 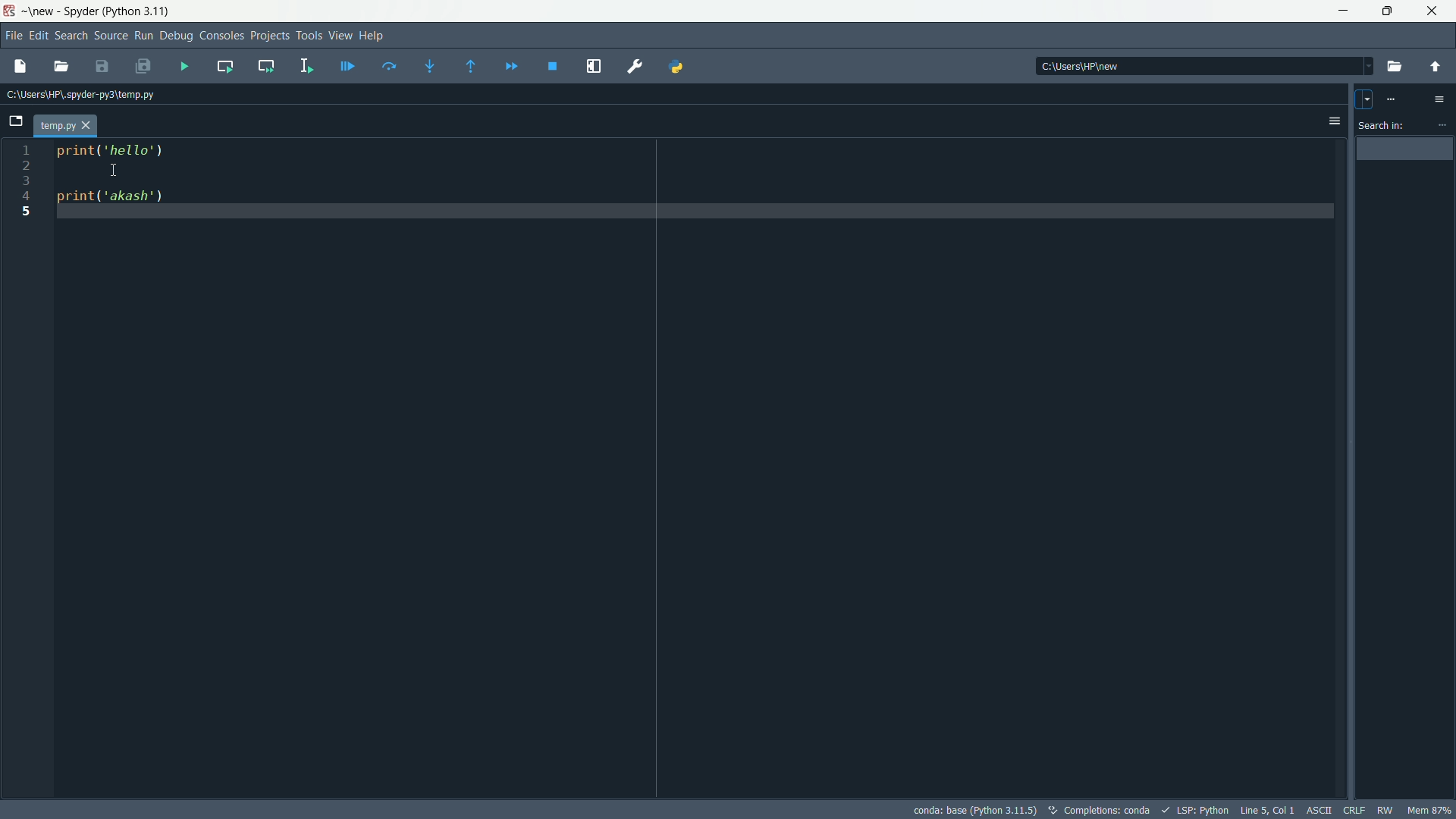 I want to click on interpreter, so click(x=972, y=810).